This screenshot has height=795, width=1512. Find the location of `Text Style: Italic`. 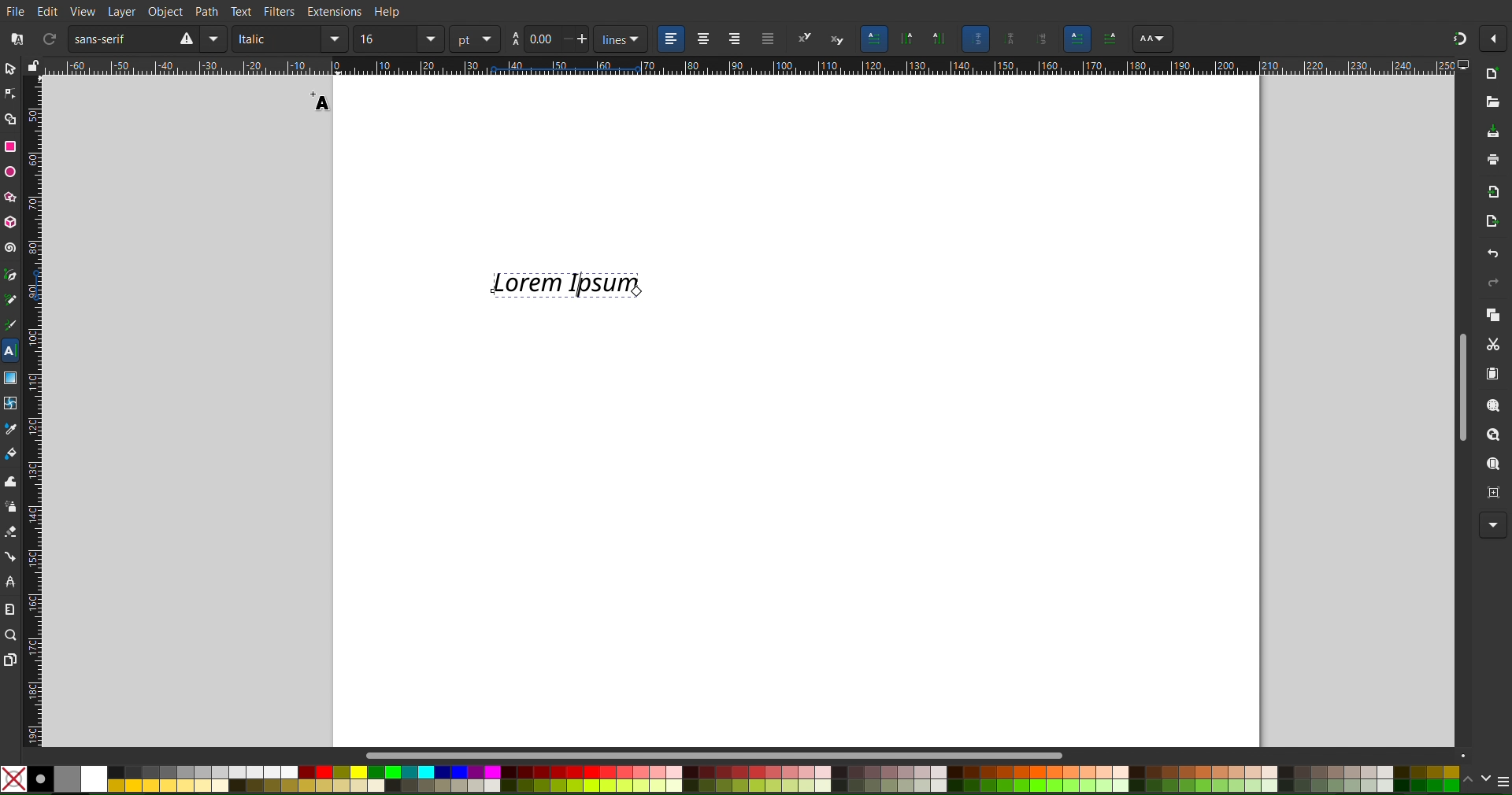

Text Style: Italic is located at coordinates (289, 39).